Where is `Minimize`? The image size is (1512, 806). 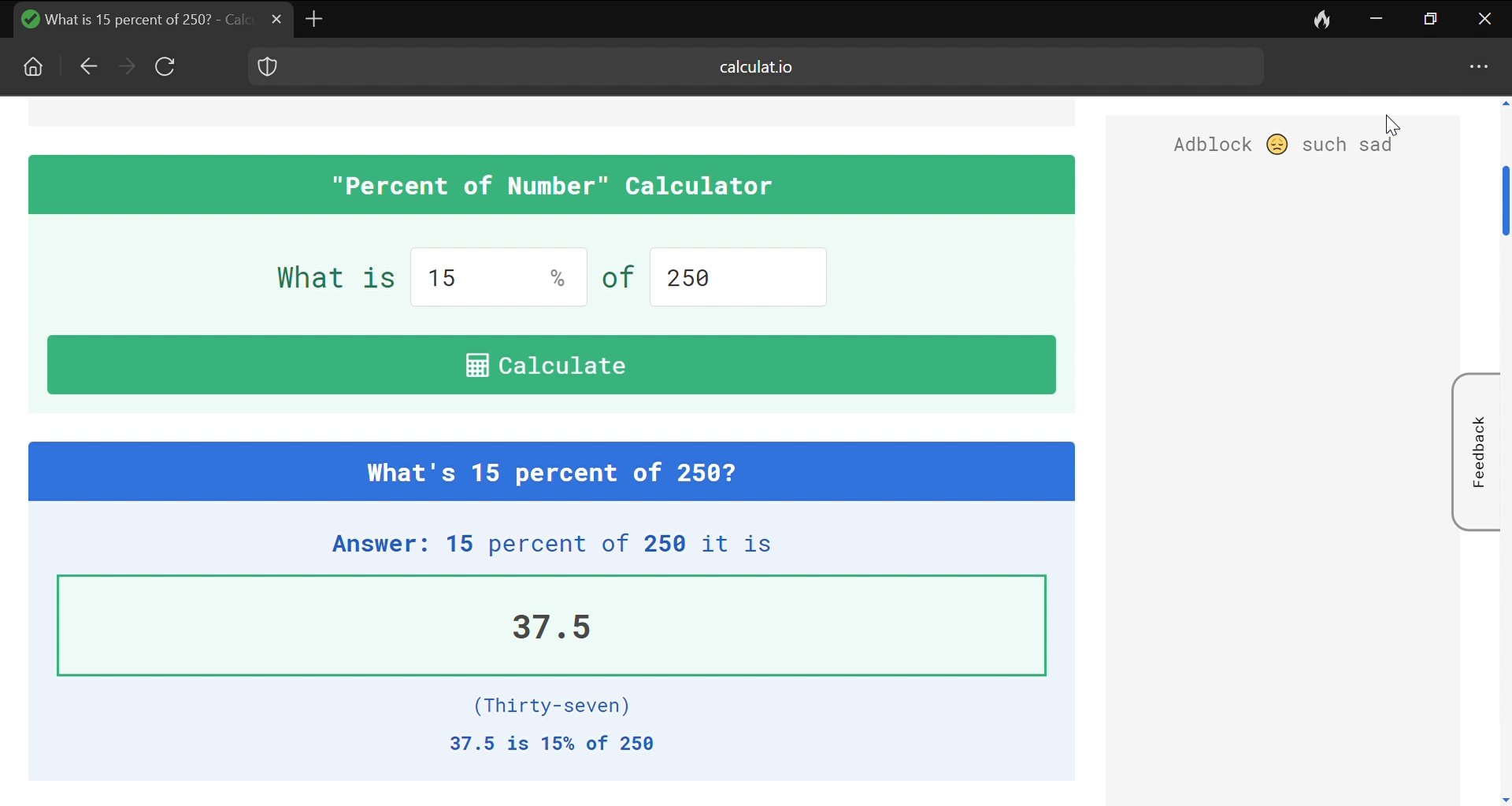
Minimize is located at coordinates (1377, 17).